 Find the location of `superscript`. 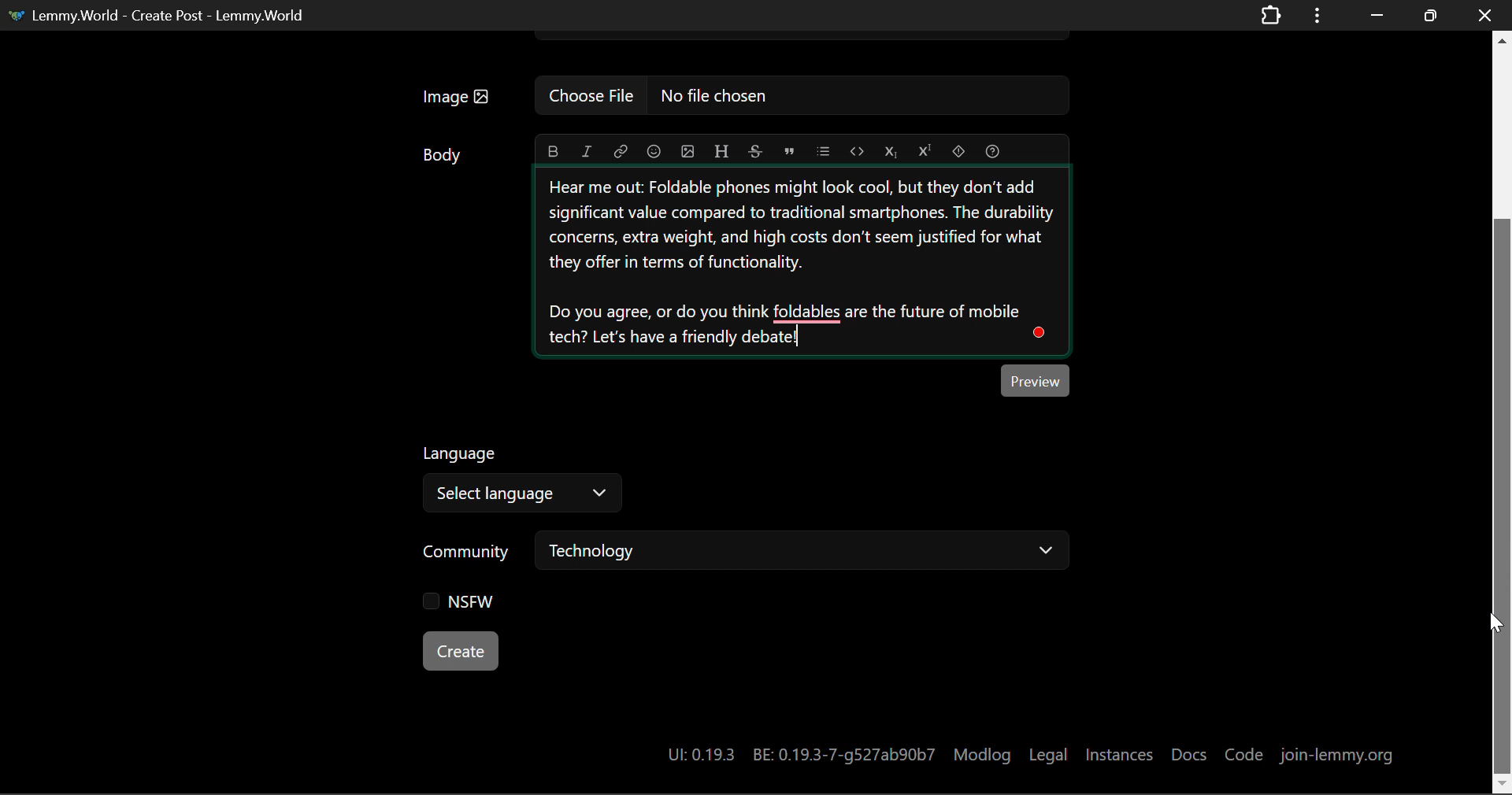

superscript is located at coordinates (926, 152).